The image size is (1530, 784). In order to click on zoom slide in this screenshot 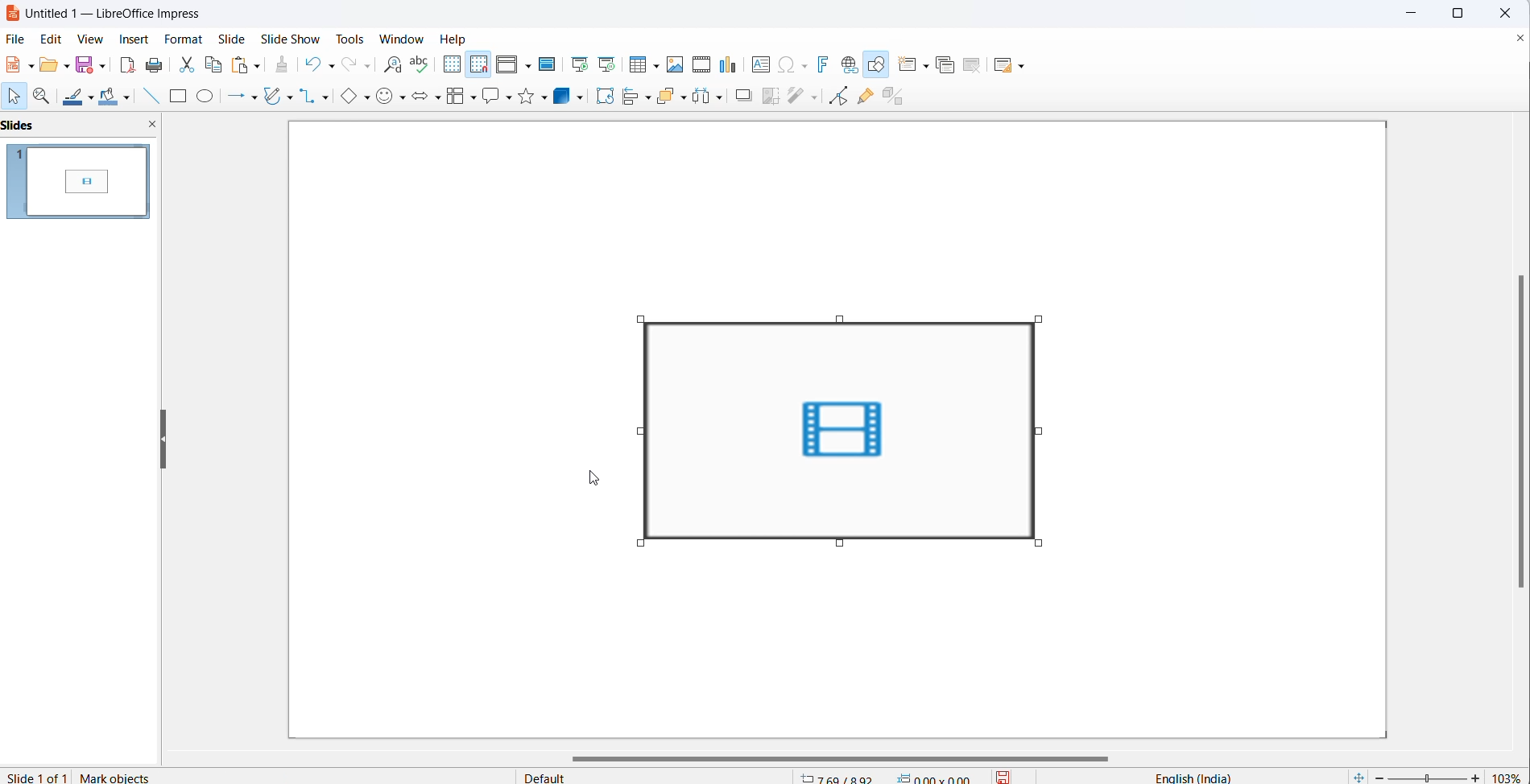, I will do `click(1429, 777)`.